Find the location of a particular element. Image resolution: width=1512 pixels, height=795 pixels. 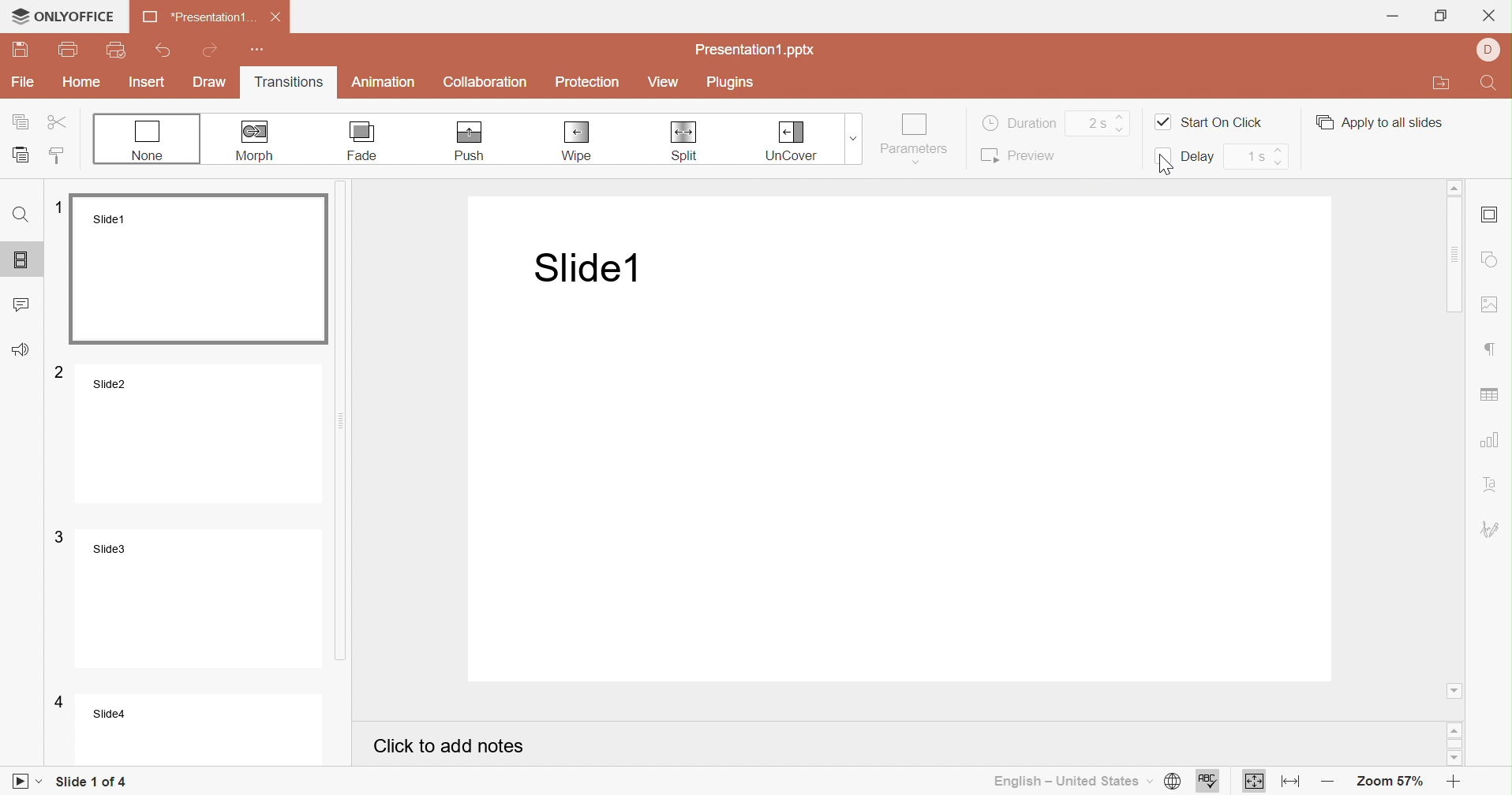

Zoom out is located at coordinates (1324, 783).